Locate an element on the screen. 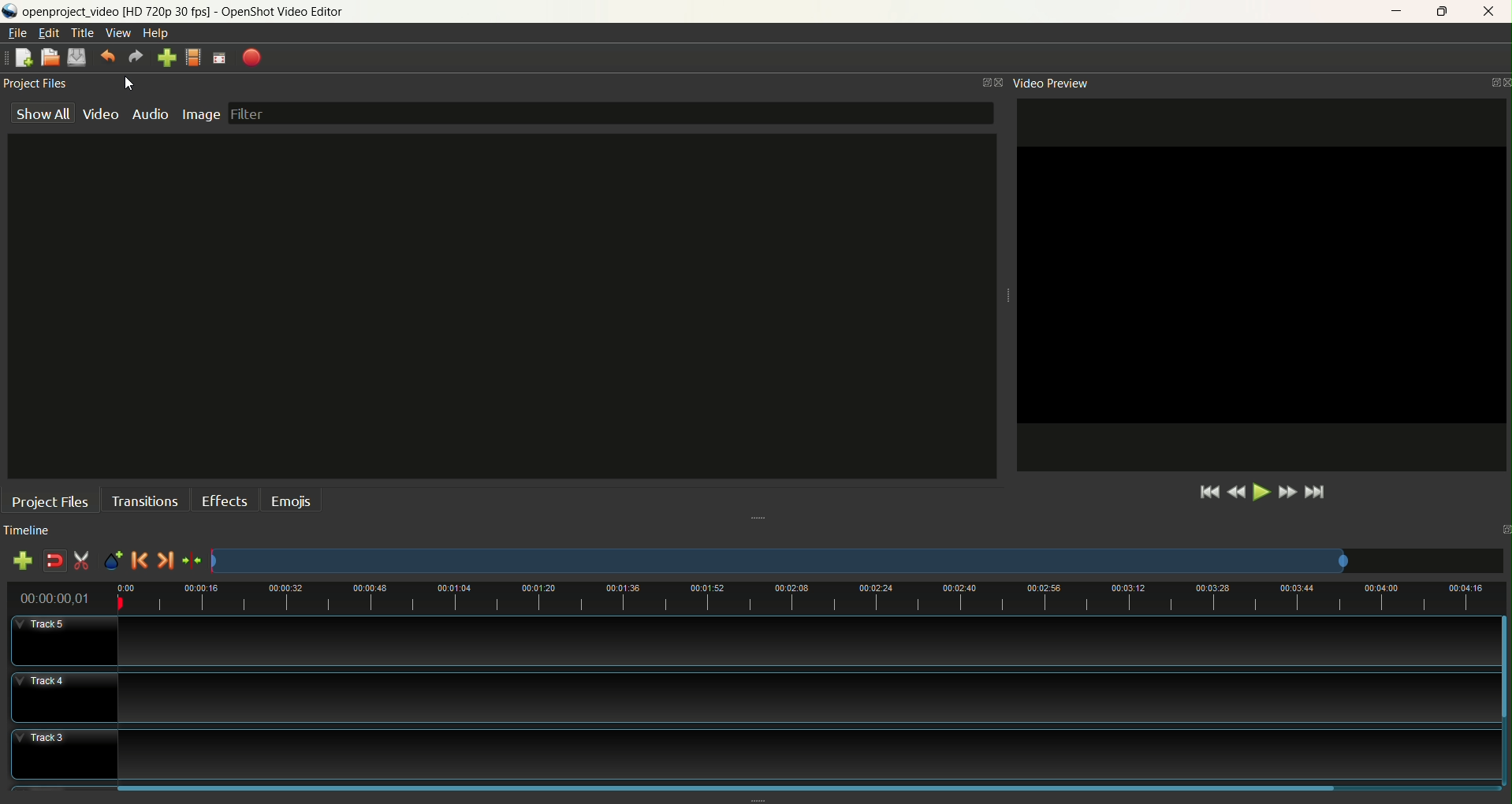 The height and width of the screenshot is (804, 1512). undo is located at coordinates (110, 57).